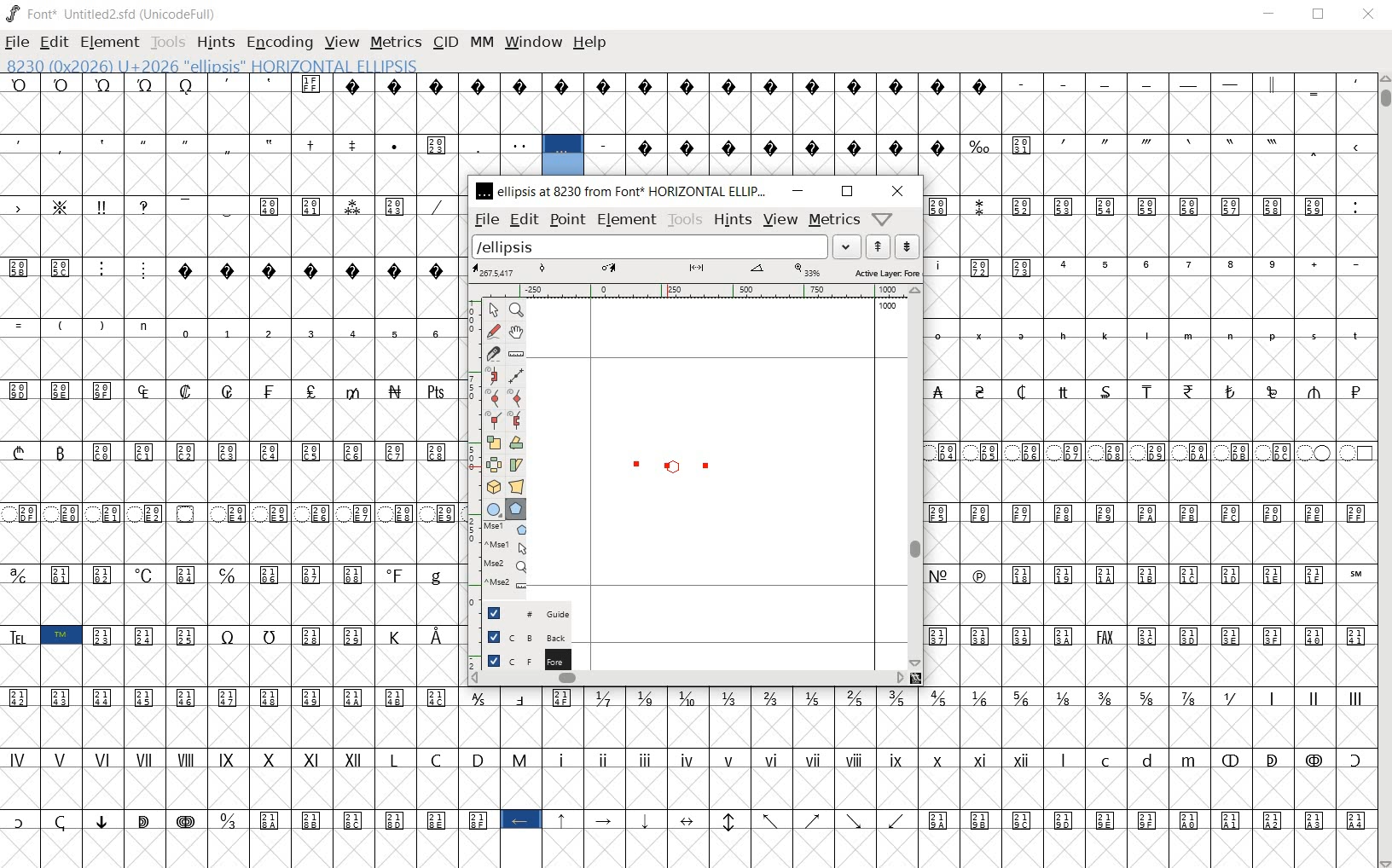  I want to click on perform a perspective transformation on the selection, so click(517, 486).